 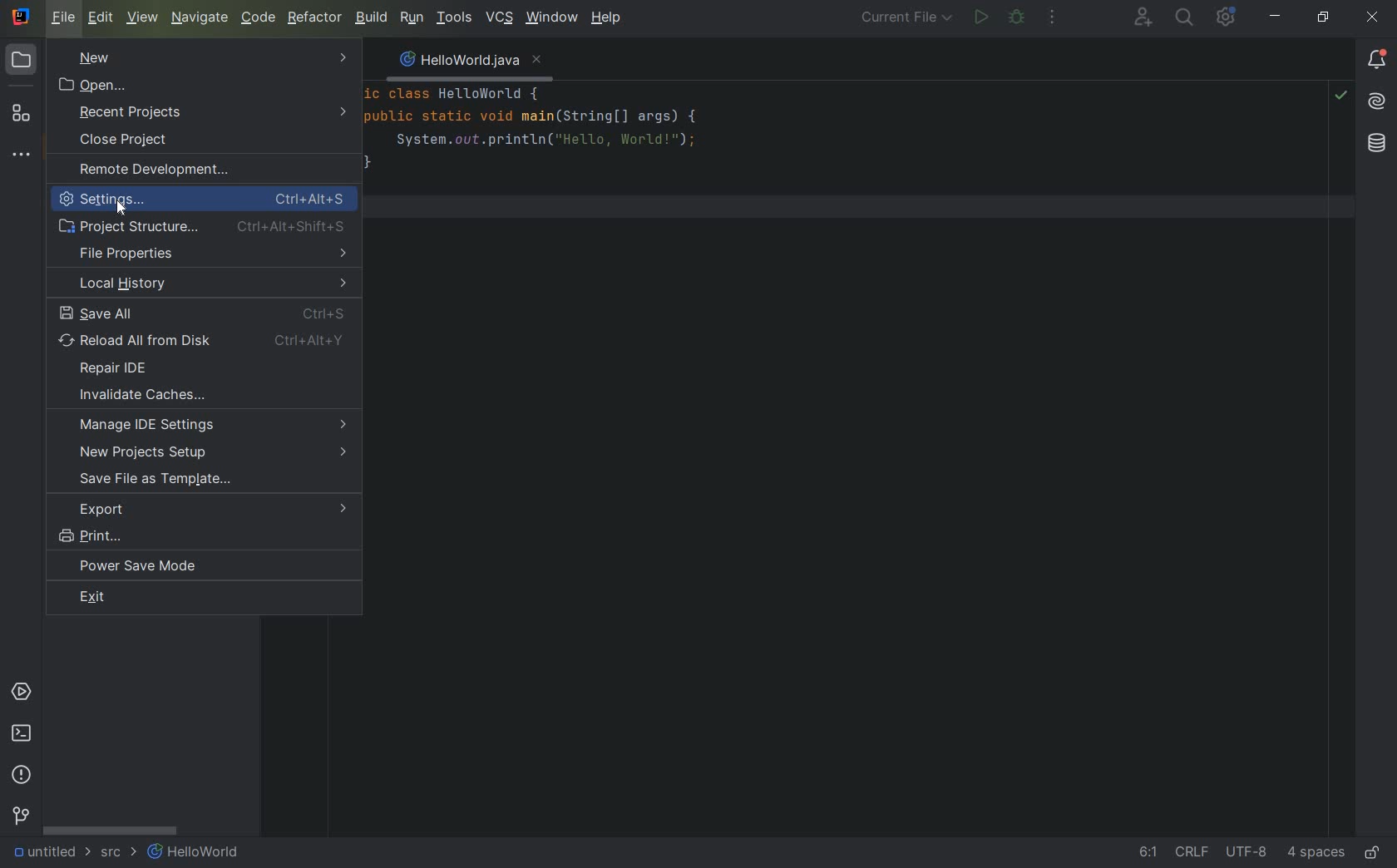 What do you see at coordinates (210, 282) in the screenshot?
I see `LOCAL HISTORY` at bounding box center [210, 282].